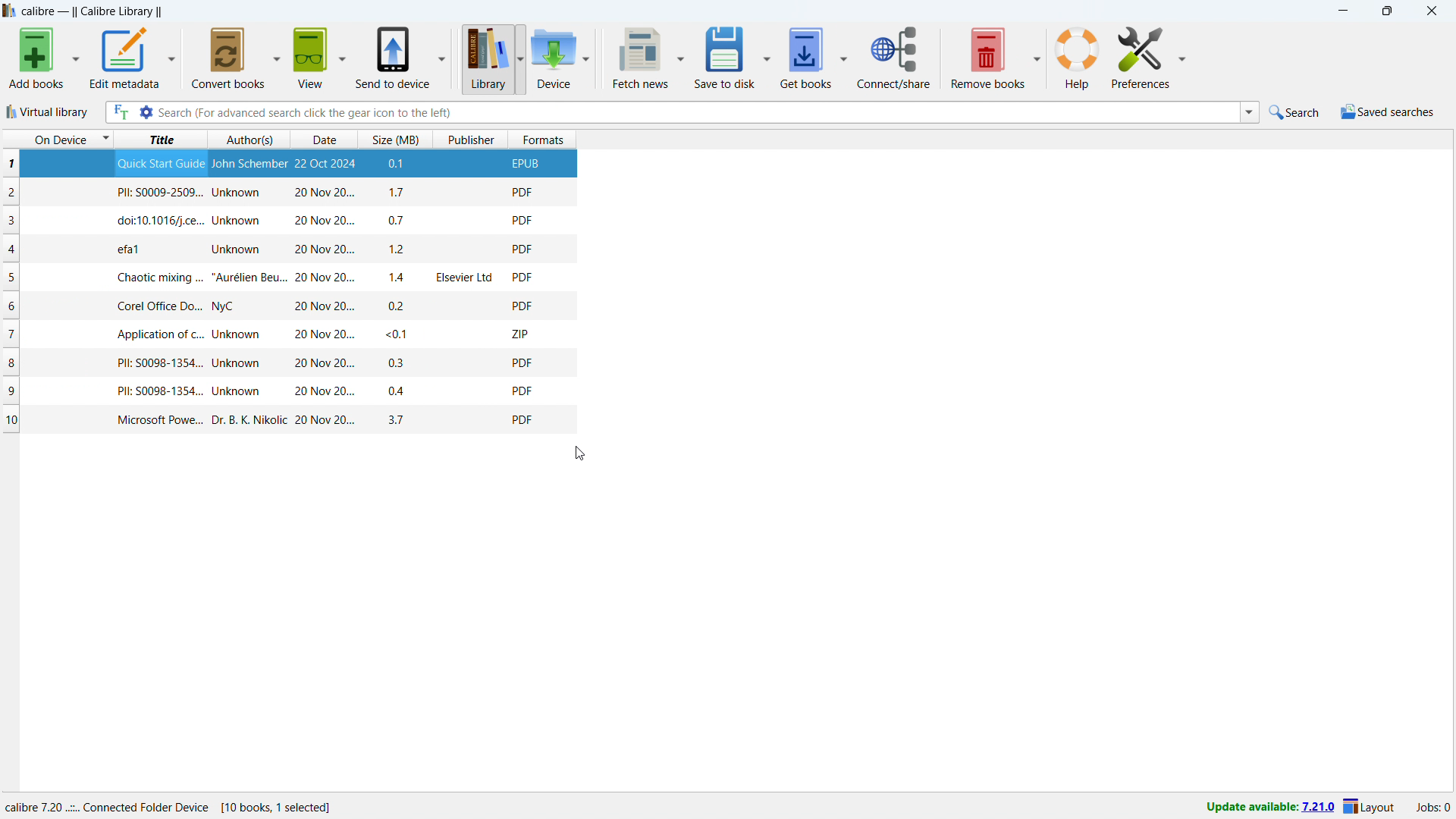 The width and height of the screenshot is (1456, 819). Describe the element at coordinates (171, 56) in the screenshot. I see `edit metadata options` at that location.